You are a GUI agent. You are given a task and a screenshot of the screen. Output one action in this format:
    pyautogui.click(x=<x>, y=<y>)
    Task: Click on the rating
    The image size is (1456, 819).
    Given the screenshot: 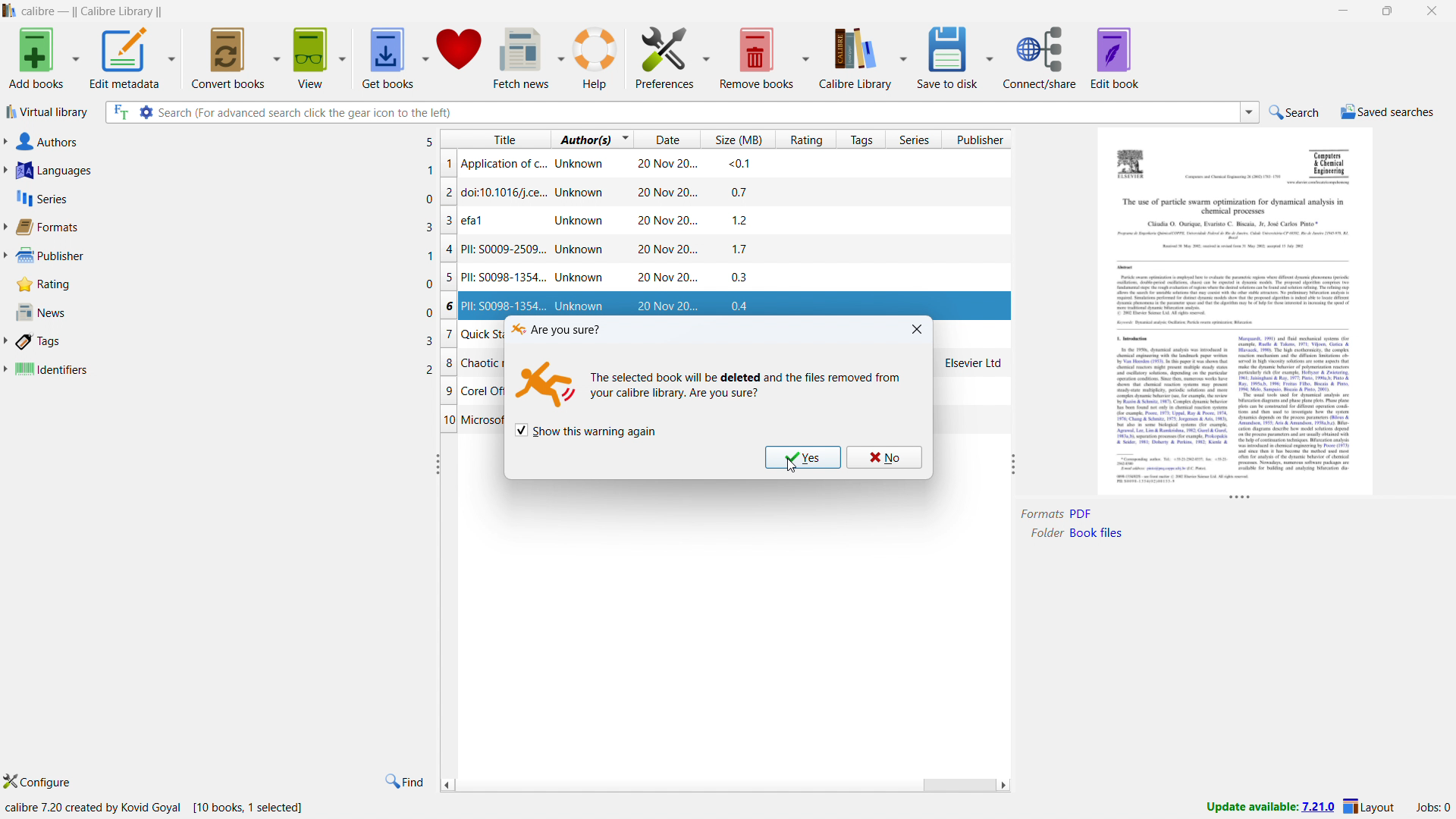 What is the action you would take?
    pyautogui.click(x=224, y=284)
    